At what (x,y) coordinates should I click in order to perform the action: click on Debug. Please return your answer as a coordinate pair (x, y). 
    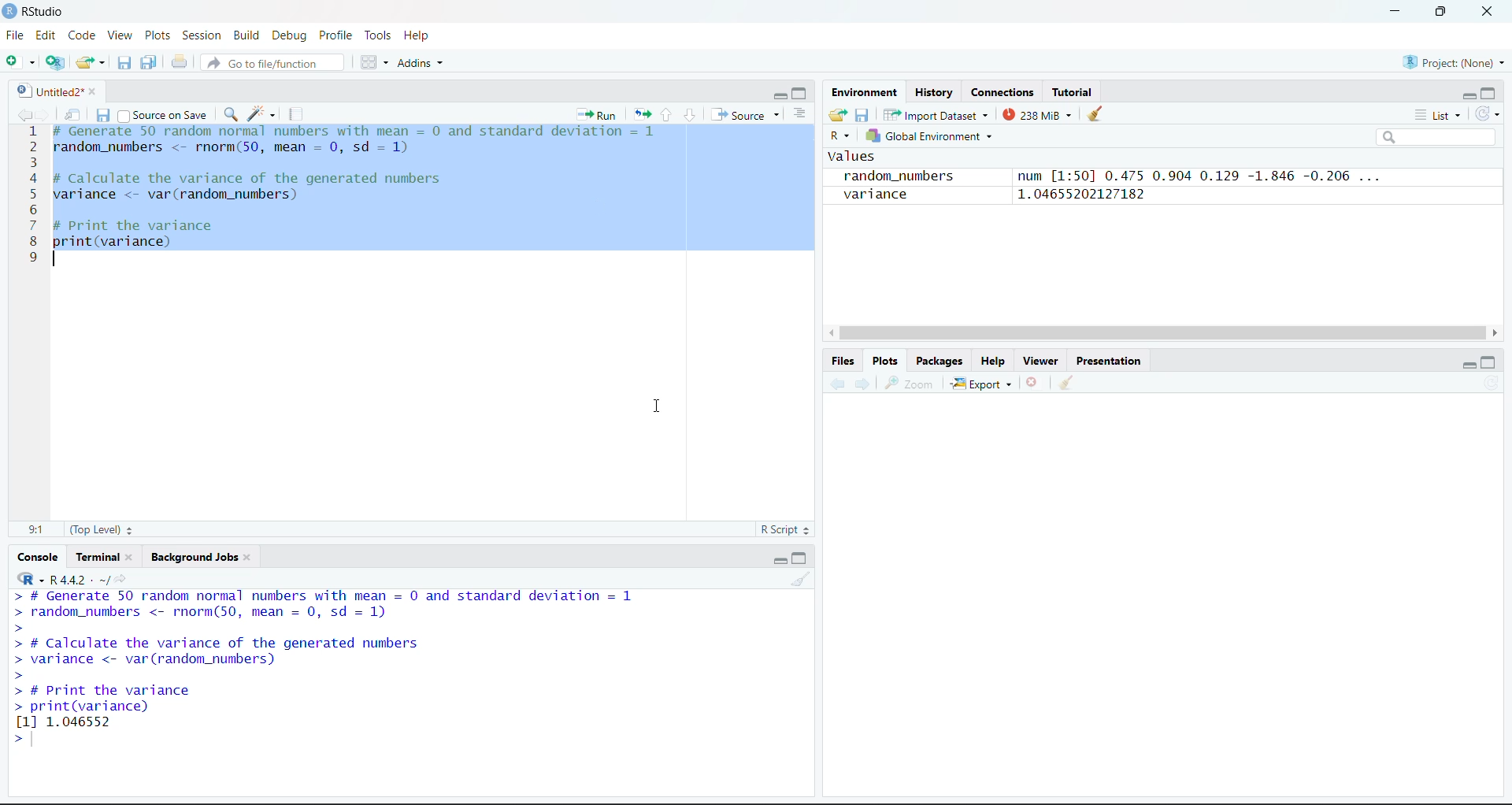
    Looking at the image, I should click on (292, 35).